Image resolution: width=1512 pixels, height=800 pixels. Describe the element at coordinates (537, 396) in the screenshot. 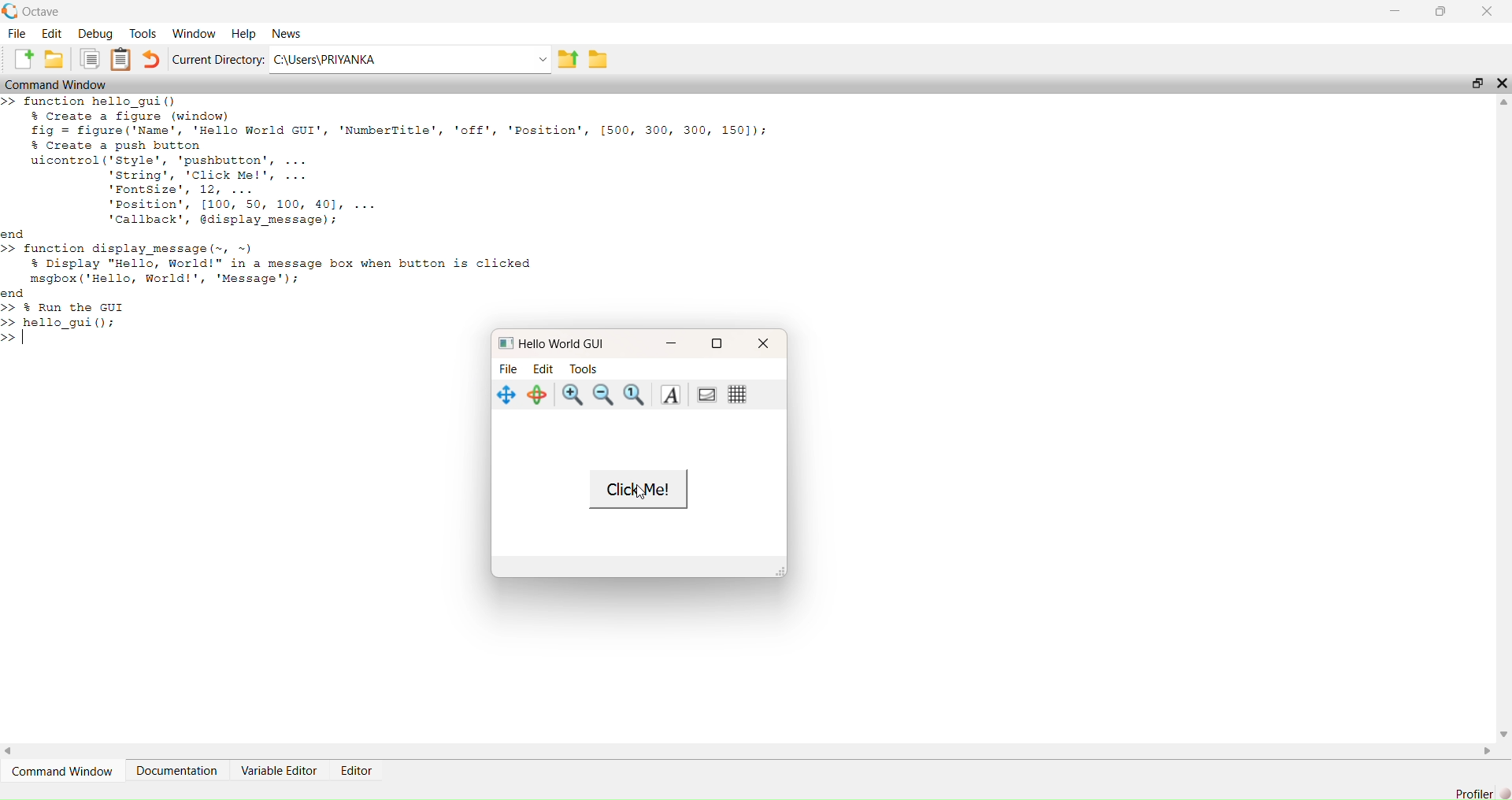

I see `rotate` at that location.